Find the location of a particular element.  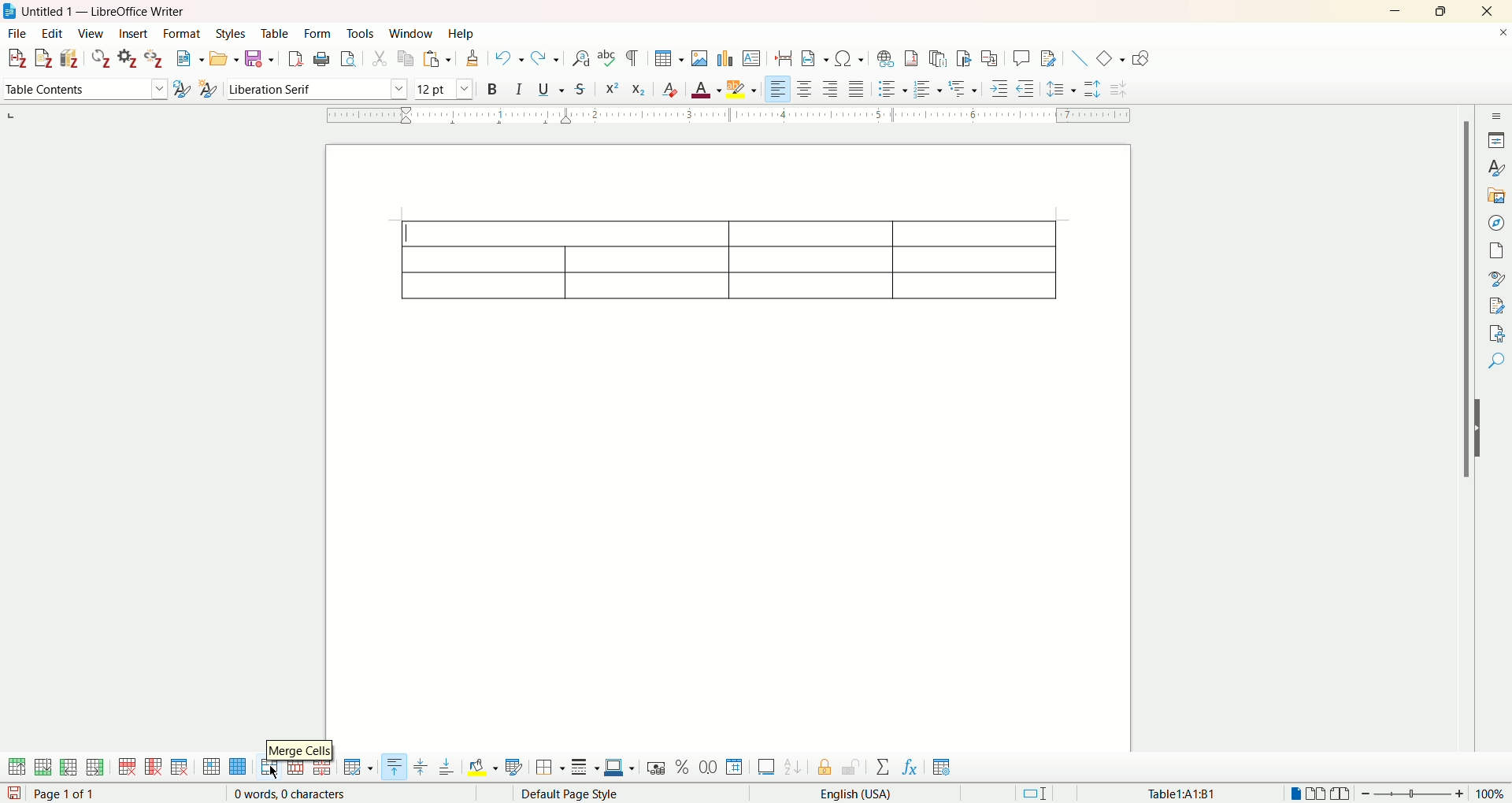

find and replace is located at coordinates (579, 58).